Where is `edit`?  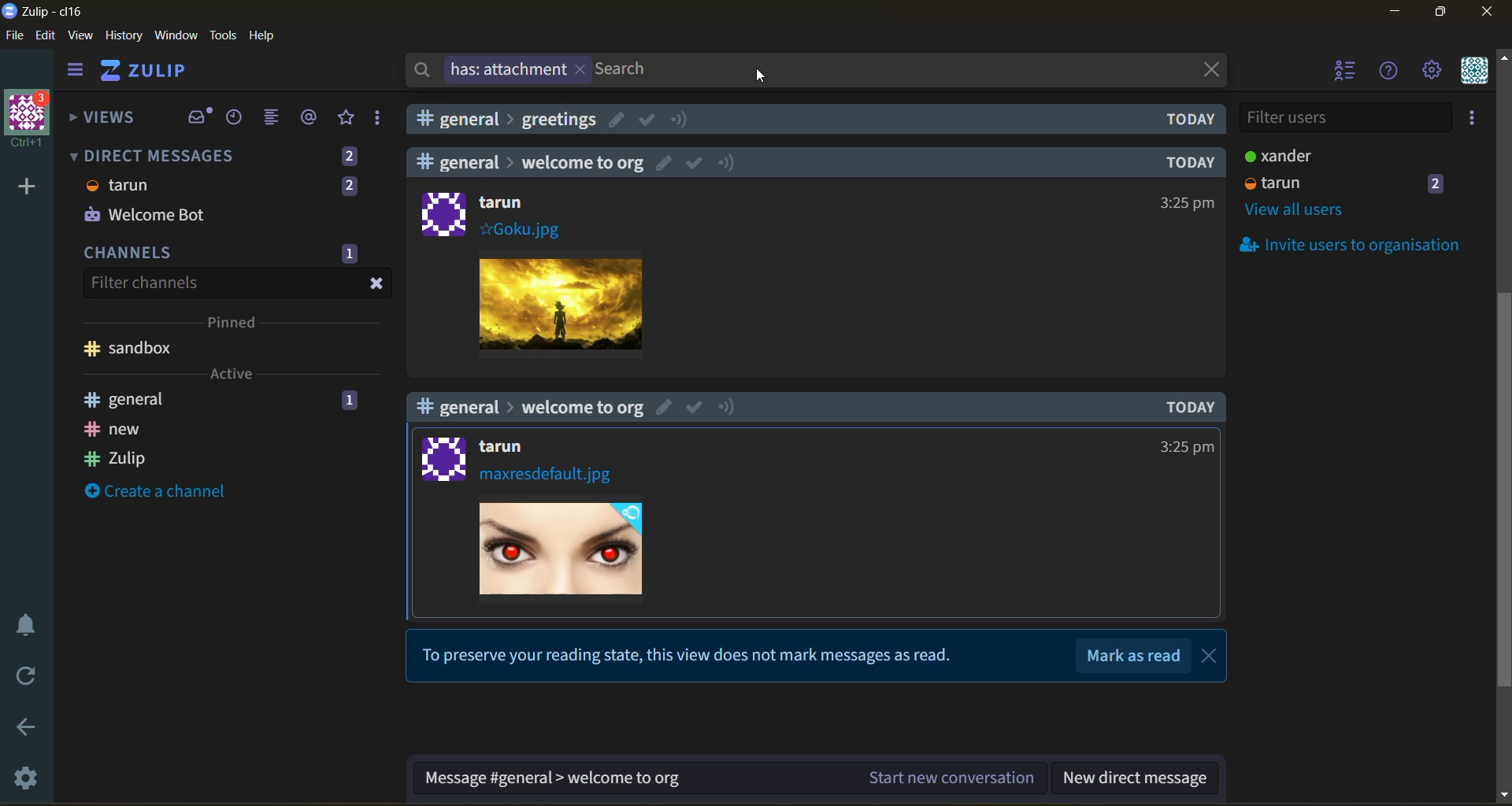
edit is located at coordinates (617, 119).